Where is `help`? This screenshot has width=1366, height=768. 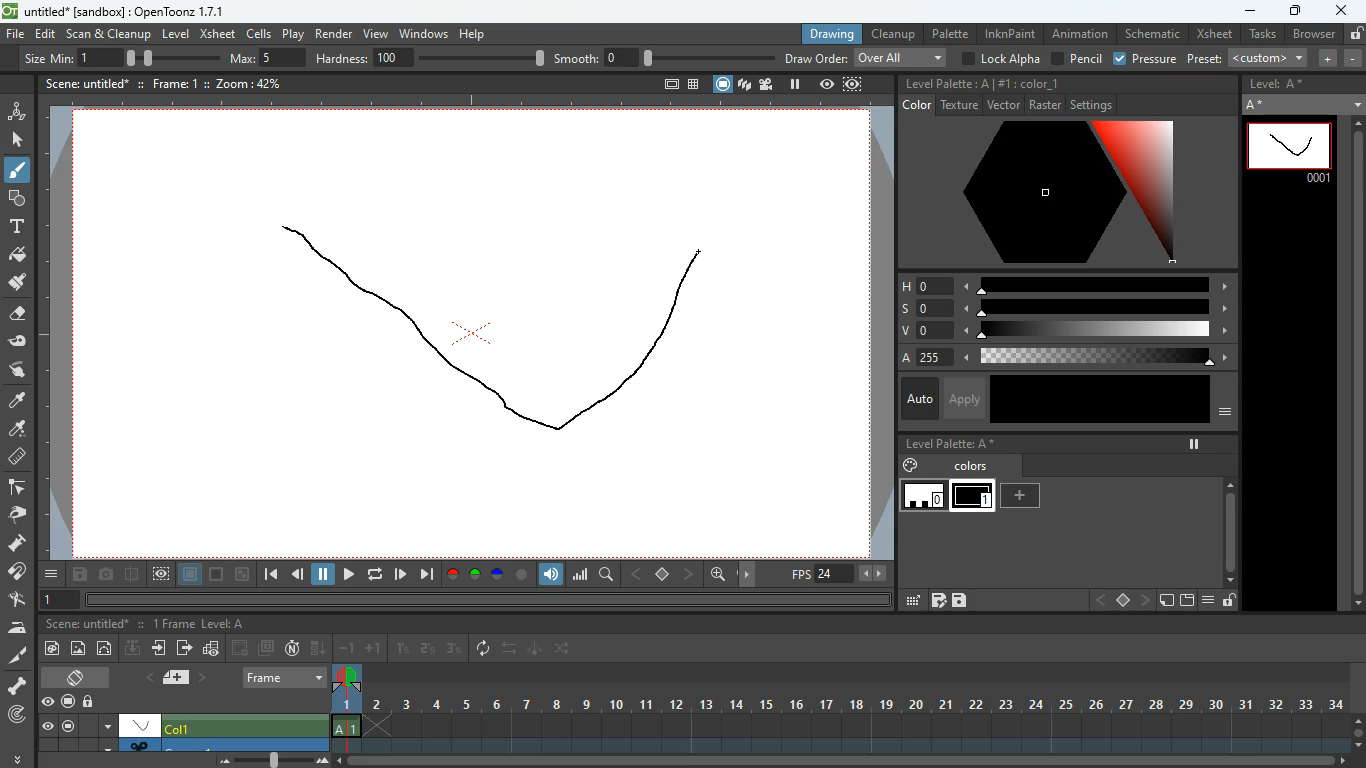 help is located at coordinates (475, 31).